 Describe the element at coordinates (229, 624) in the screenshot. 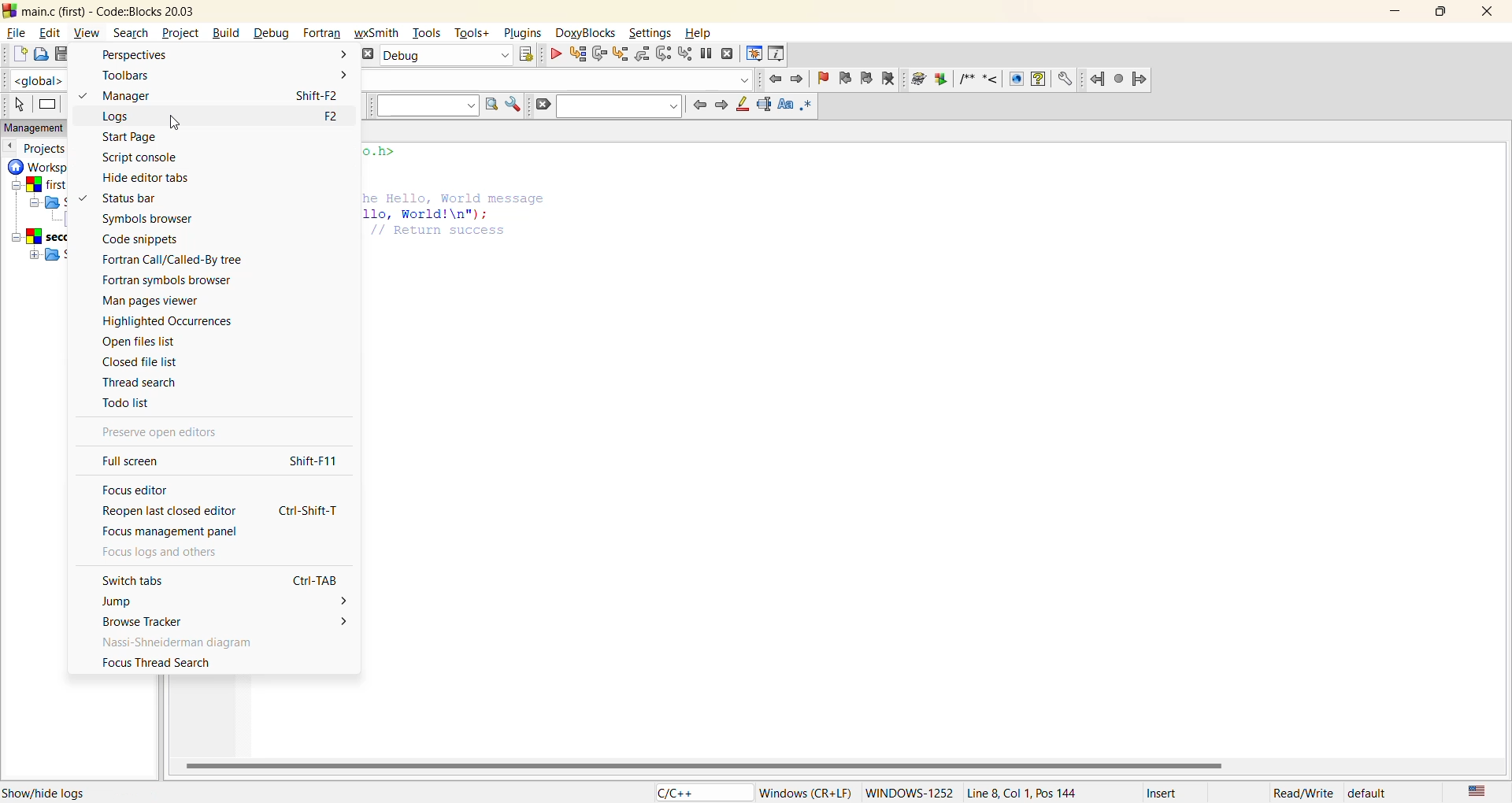

I see `browse tracker` at that location.